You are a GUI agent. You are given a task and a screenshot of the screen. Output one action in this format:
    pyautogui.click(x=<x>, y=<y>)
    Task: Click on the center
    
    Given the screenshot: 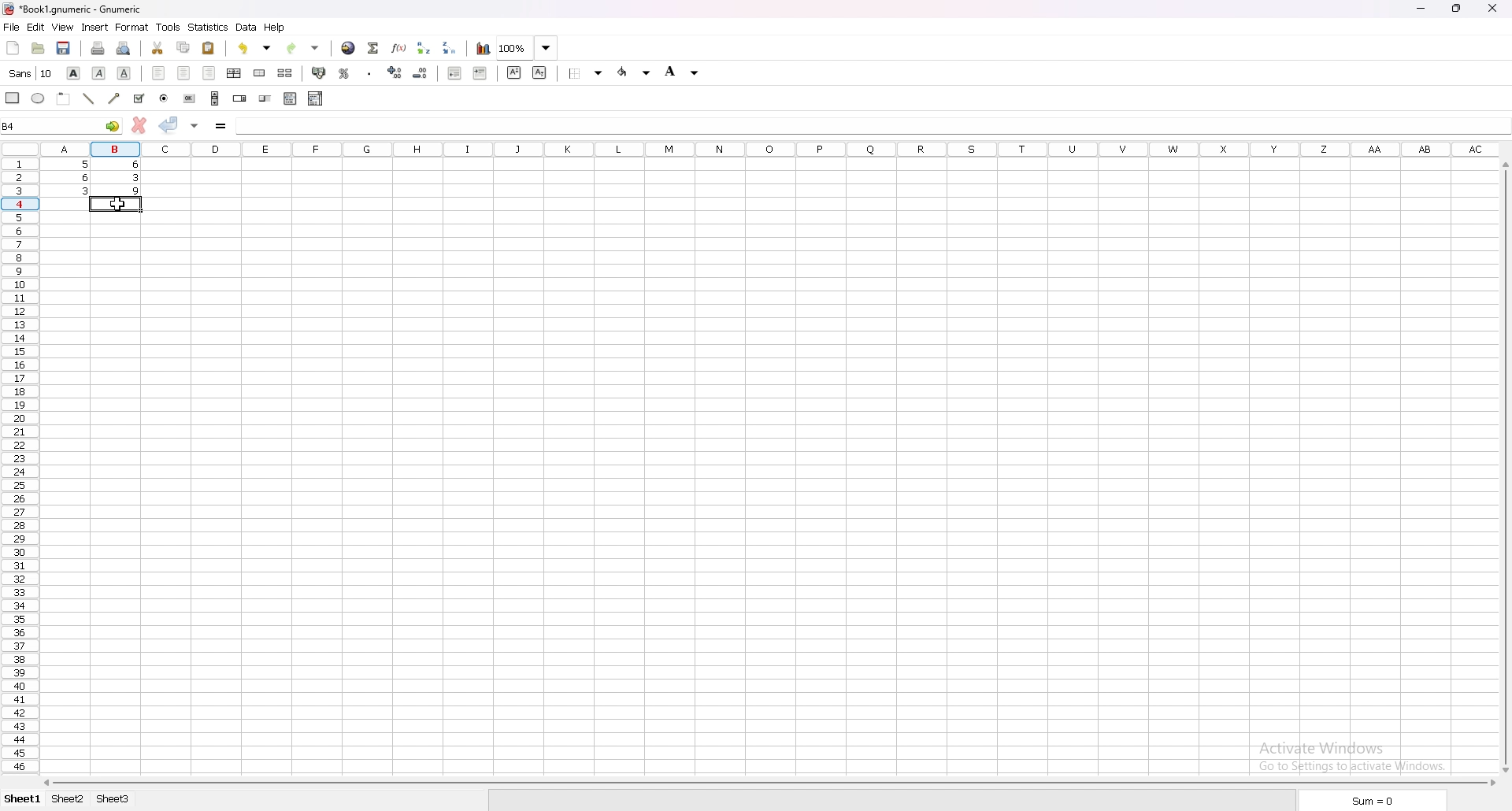 What is the action you would take?
    pyautogui.click(x=185, y=74)
    